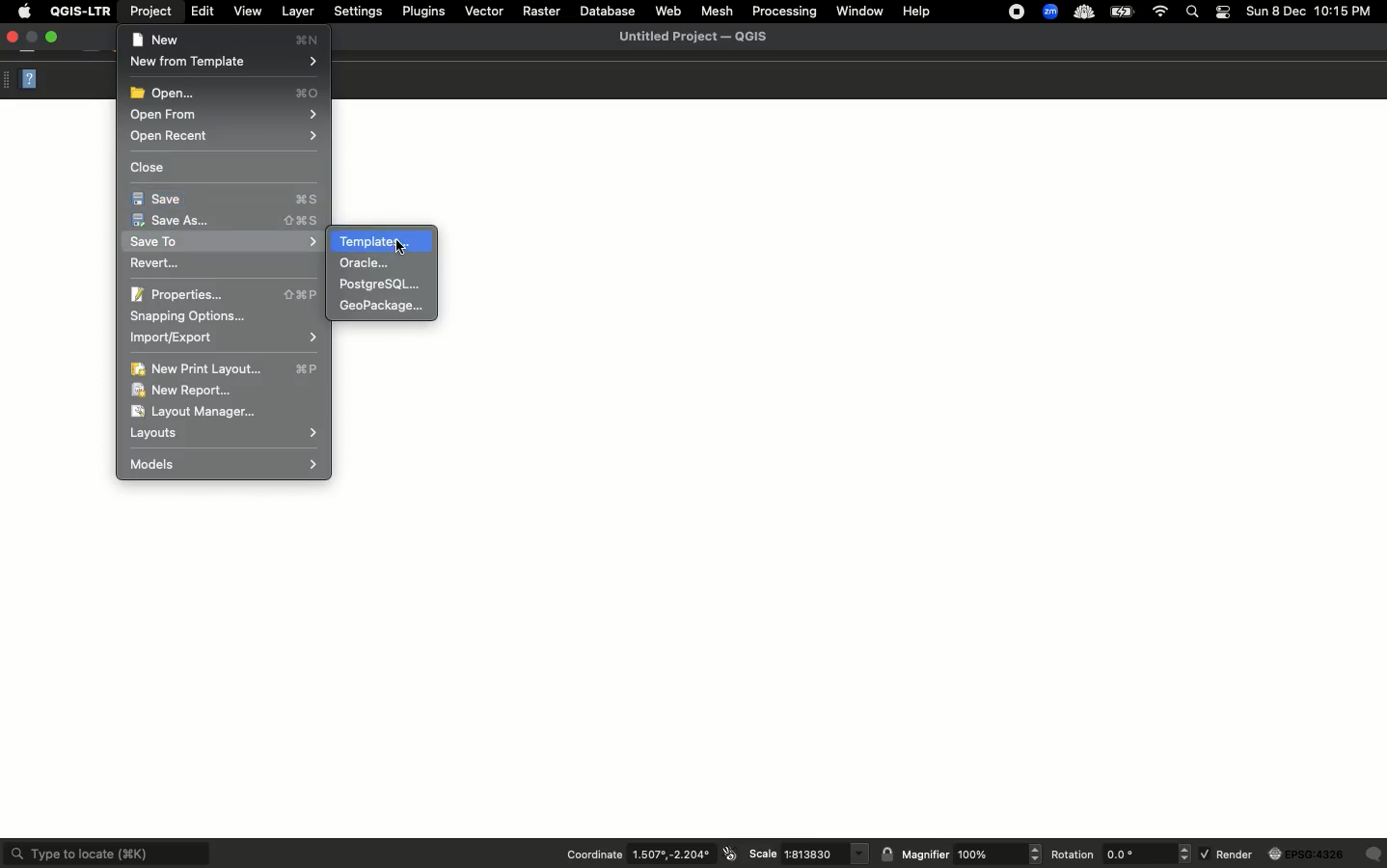 The image size is (1387, 868). I want to click on Untitled, so click(693, 38).